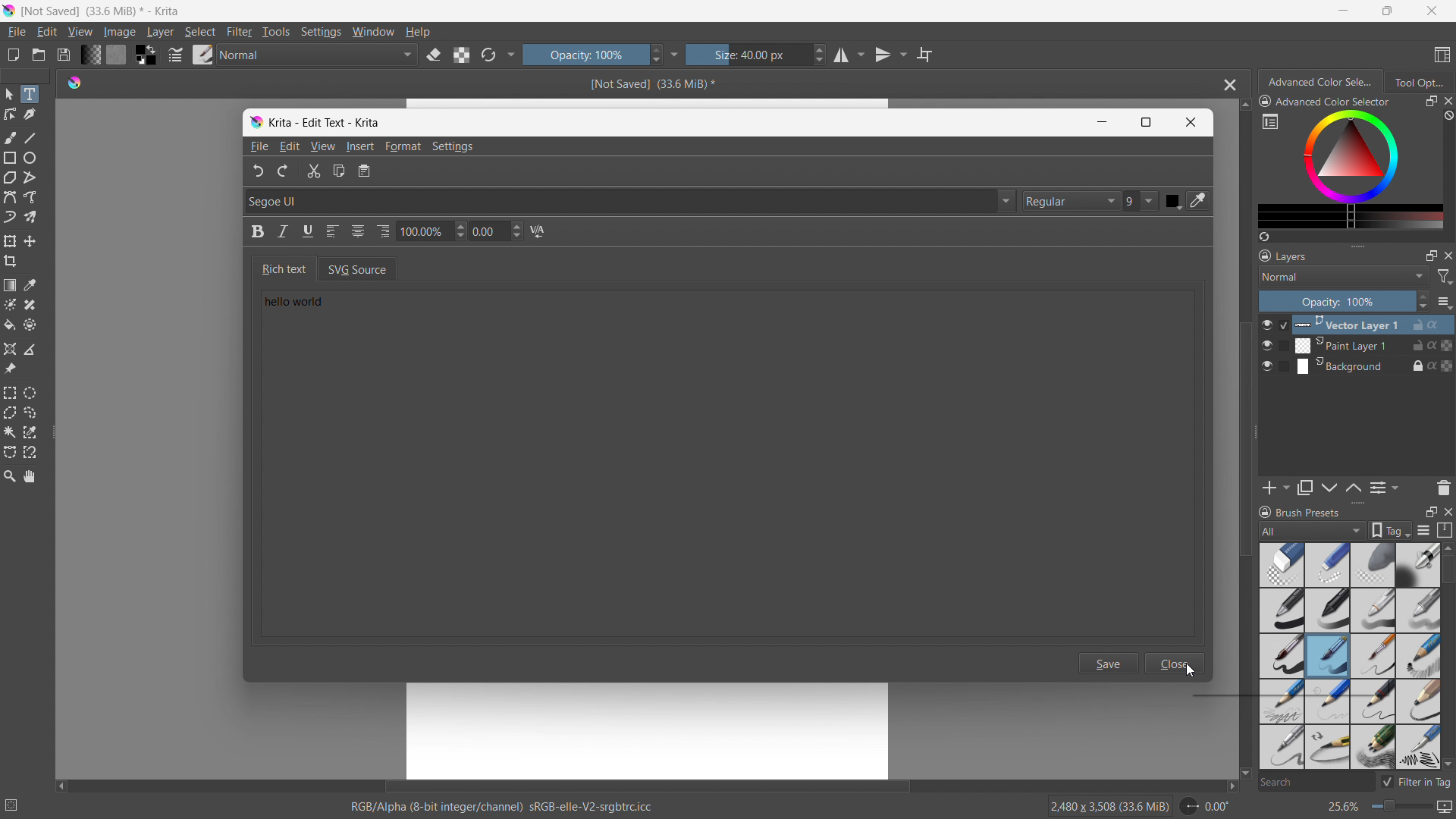  Describe the element at coordinates (1444, 302) in the screenshot. I see `options` at that location.